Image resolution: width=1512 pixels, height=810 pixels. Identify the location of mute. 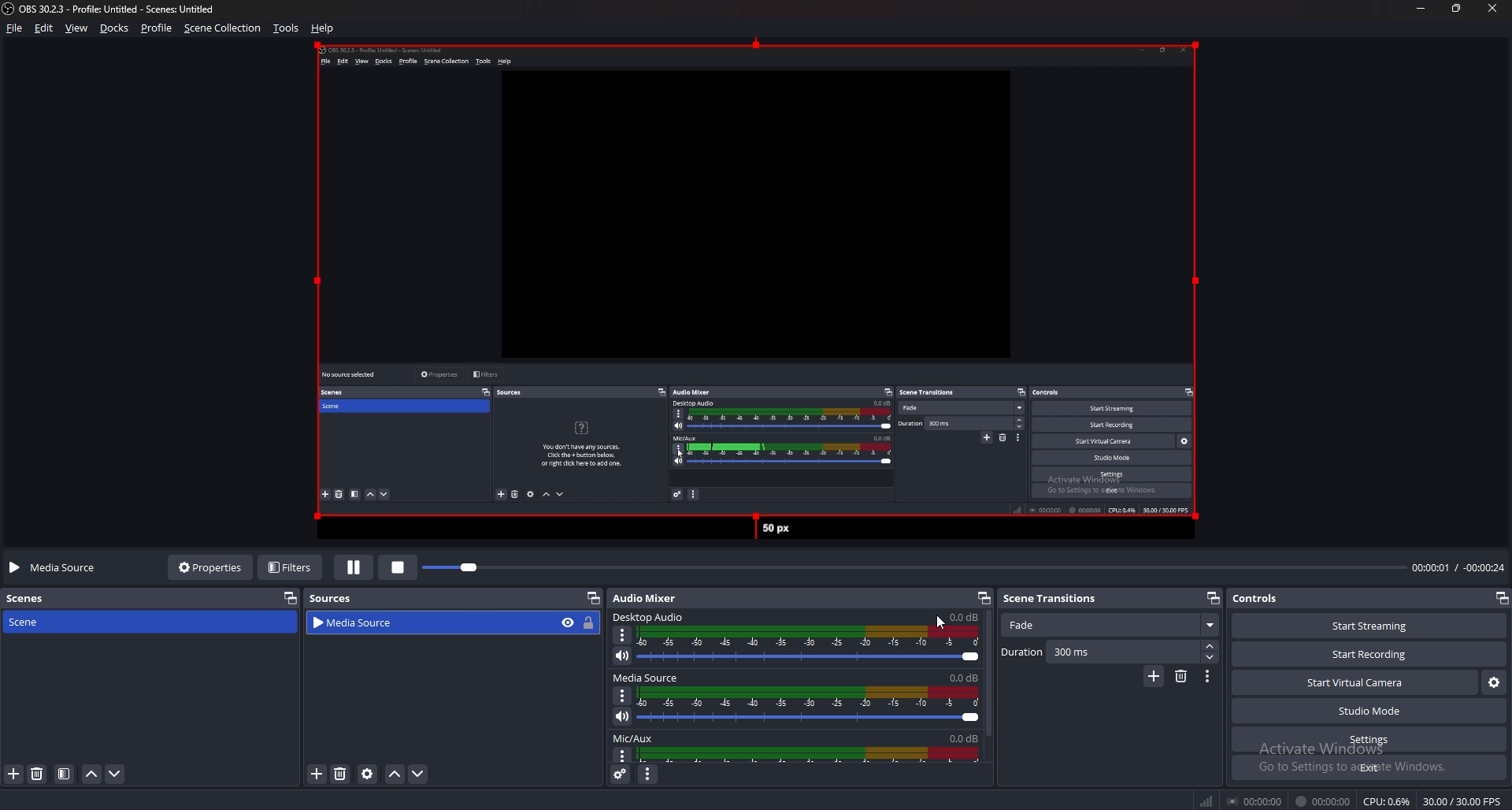
(622, 716).